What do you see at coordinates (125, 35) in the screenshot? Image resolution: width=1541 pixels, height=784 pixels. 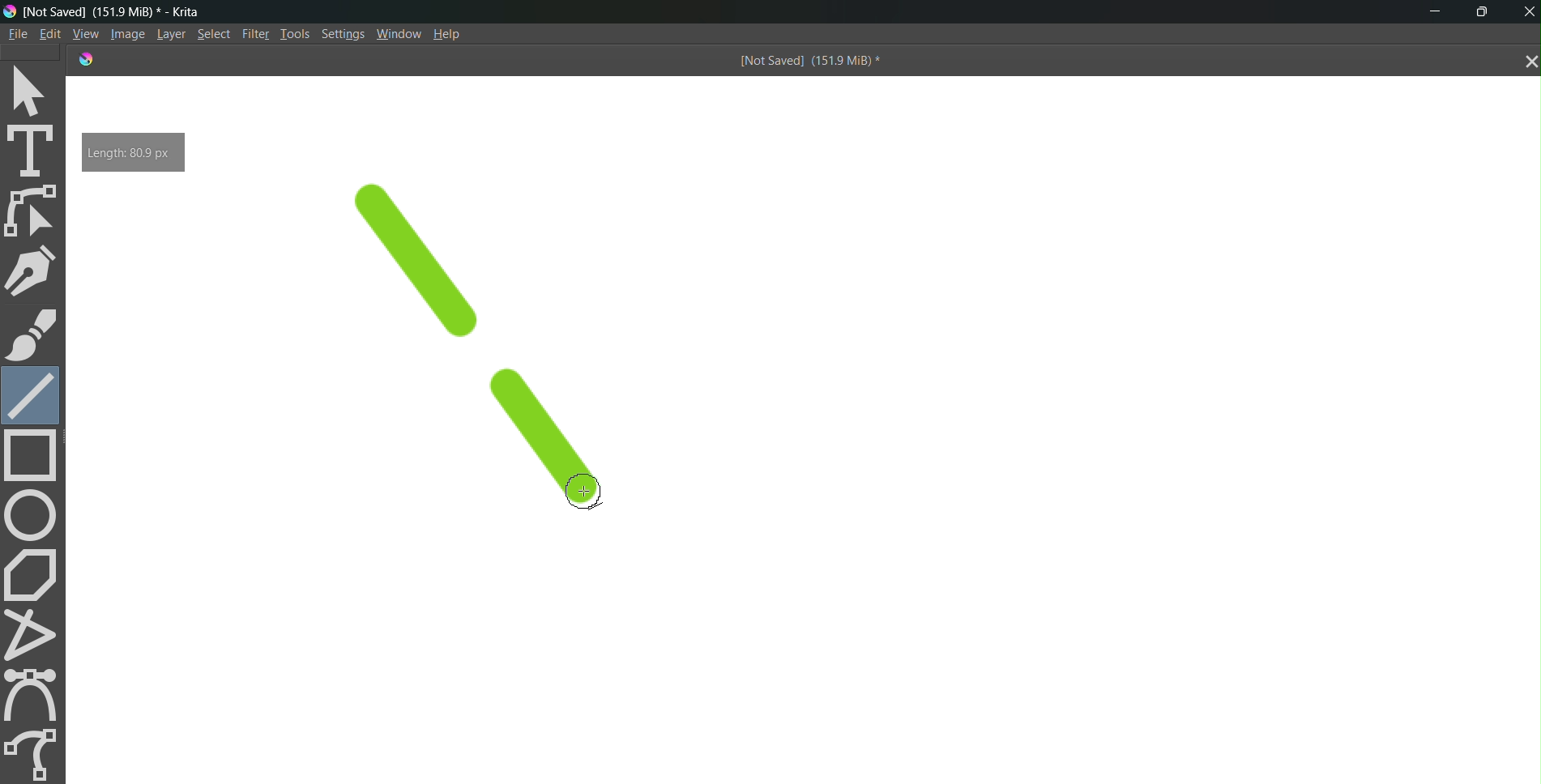 I see `Image` at bounding box center [125, 35].